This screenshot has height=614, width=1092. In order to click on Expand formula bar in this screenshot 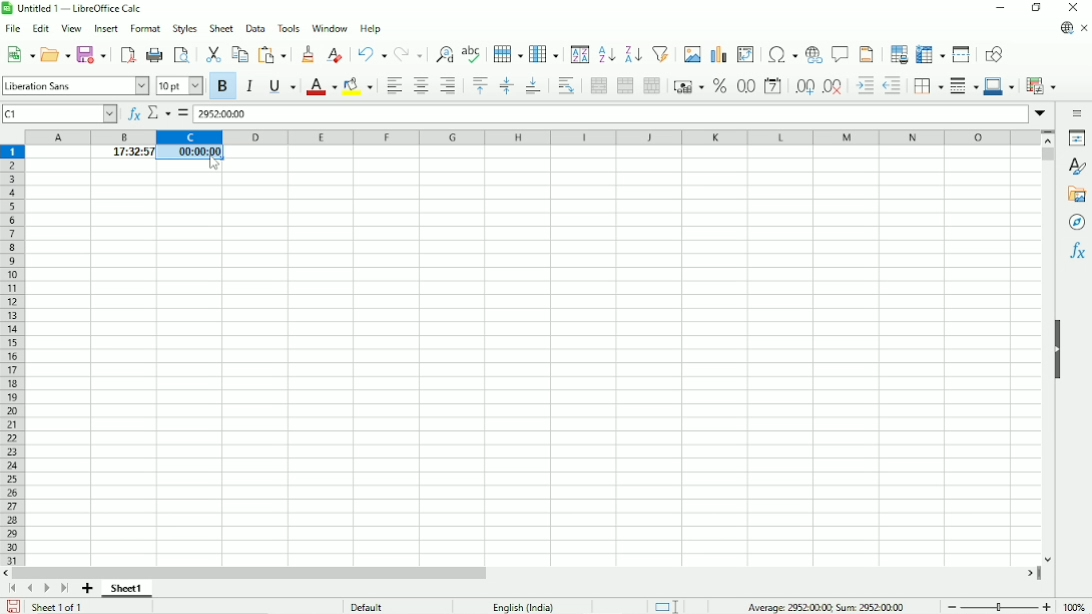, I will do `click(1042, 115)`.